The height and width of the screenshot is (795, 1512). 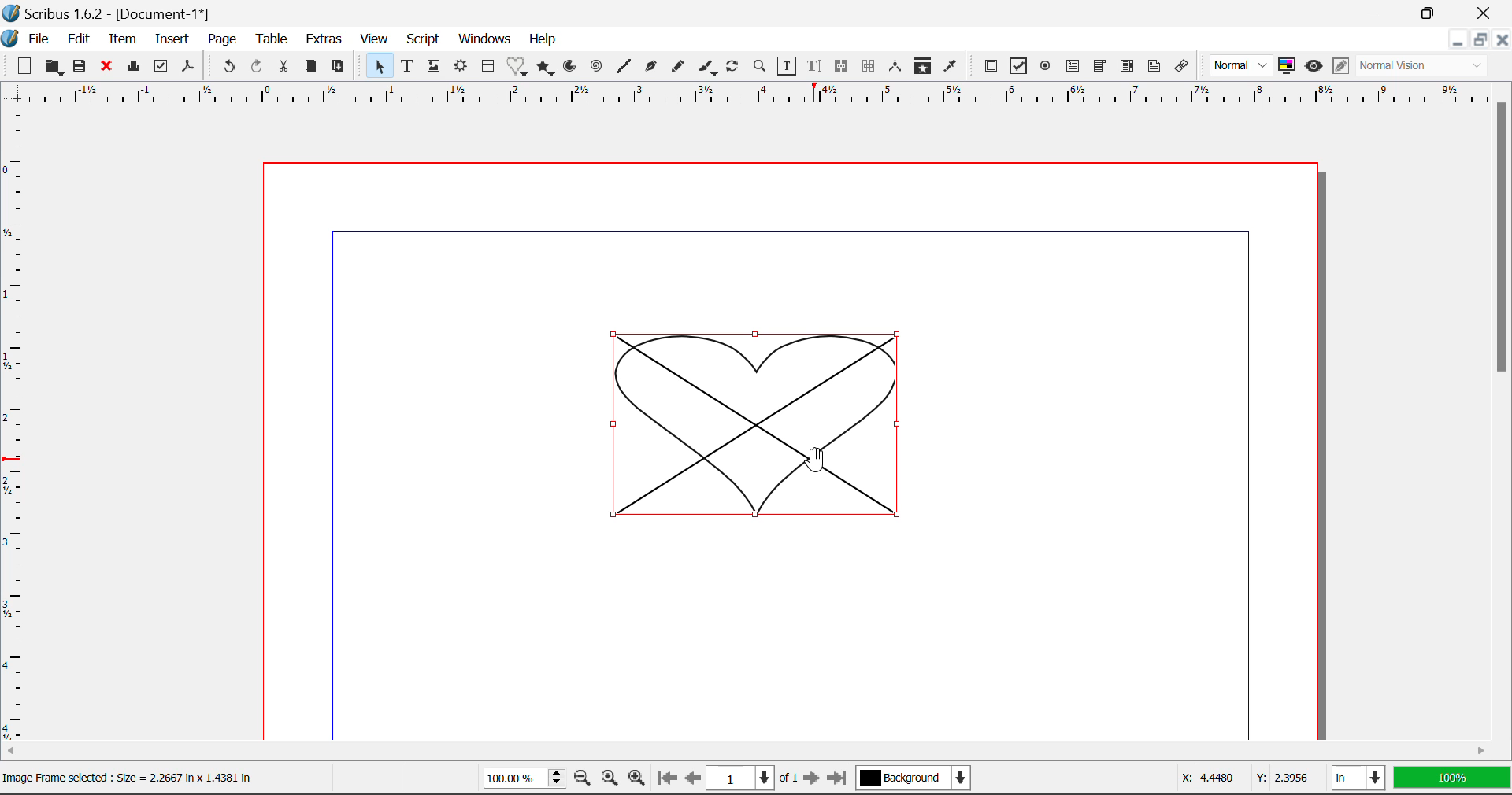 I want to click on Redo, so click(x=256, y=65).